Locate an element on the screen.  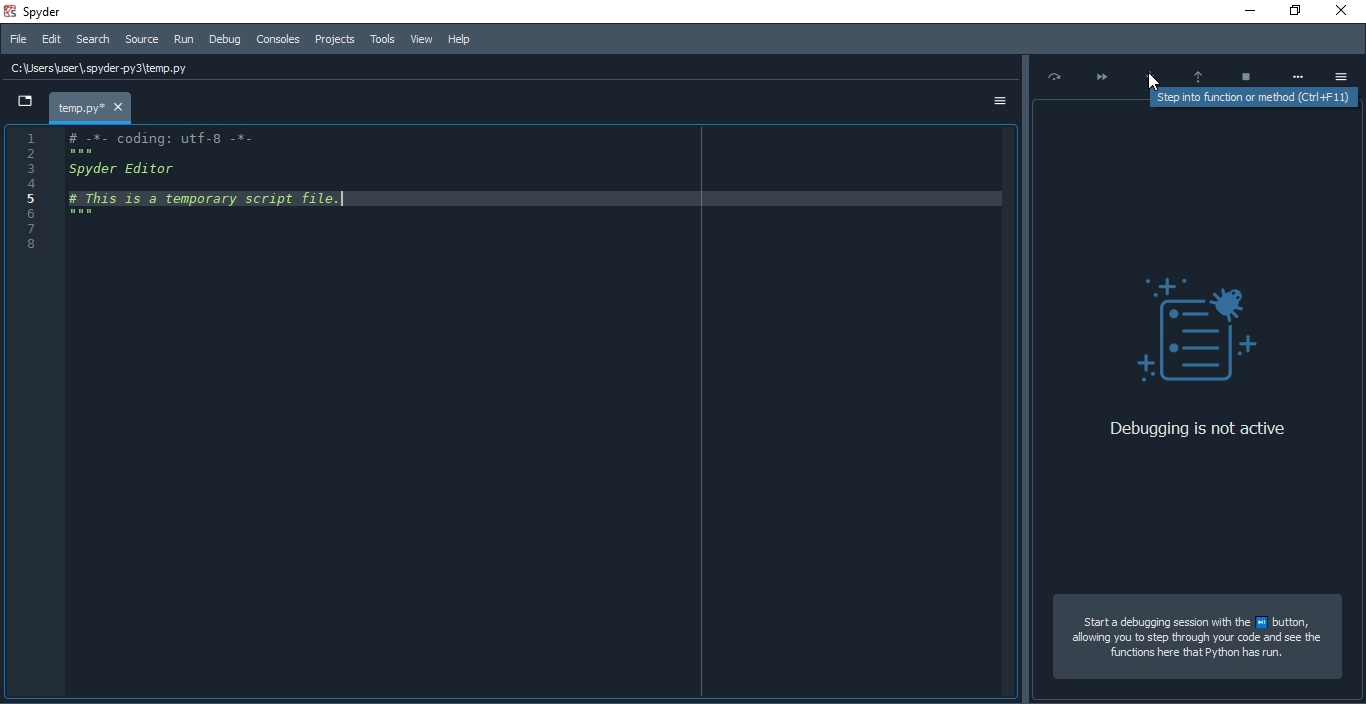
Debug is located at coordinates (226, 38).